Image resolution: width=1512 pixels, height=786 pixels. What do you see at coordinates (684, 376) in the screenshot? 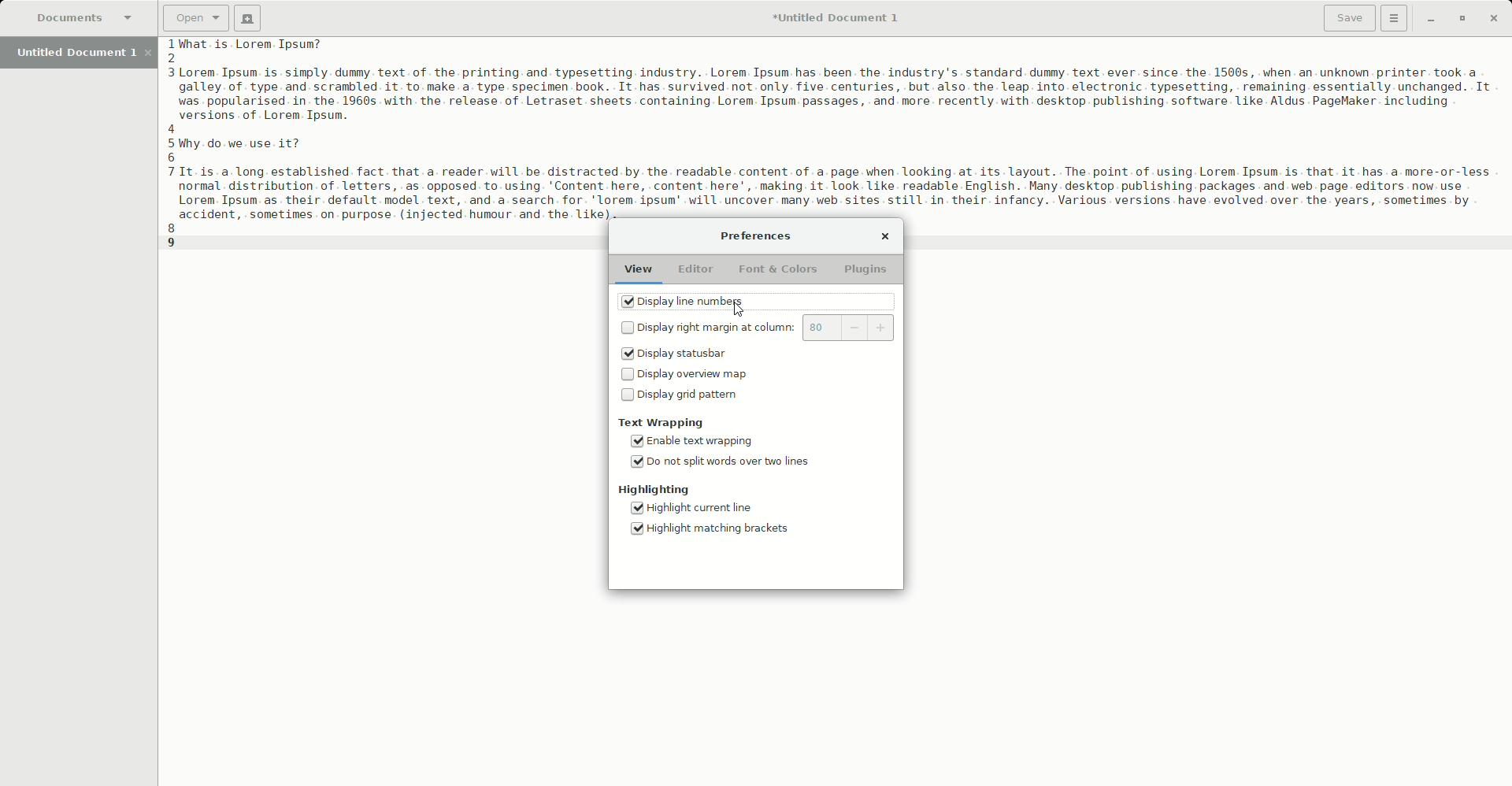
I see `Display overview map` at bounding box center [684, 376].